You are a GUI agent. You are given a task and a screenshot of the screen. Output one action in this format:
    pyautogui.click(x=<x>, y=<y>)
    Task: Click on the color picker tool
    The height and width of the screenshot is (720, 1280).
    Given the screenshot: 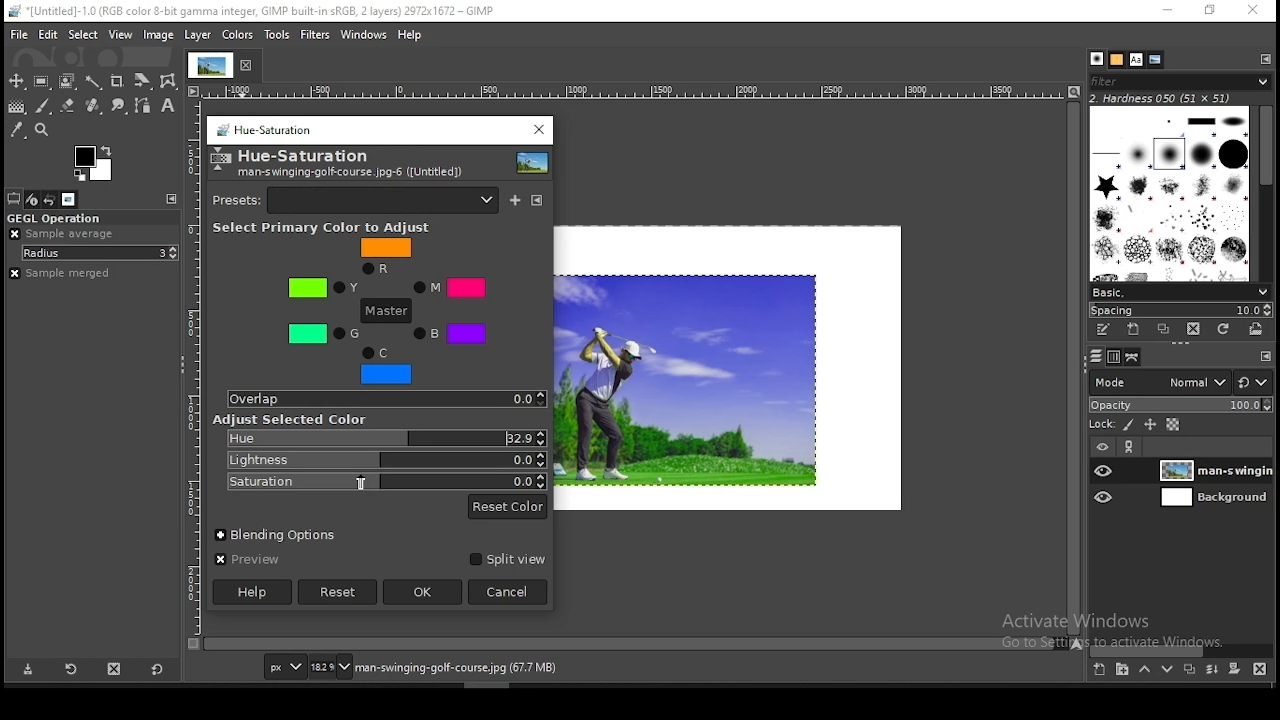 What is the action you would take?
    pyautogui.click(x=18, y=129)
    